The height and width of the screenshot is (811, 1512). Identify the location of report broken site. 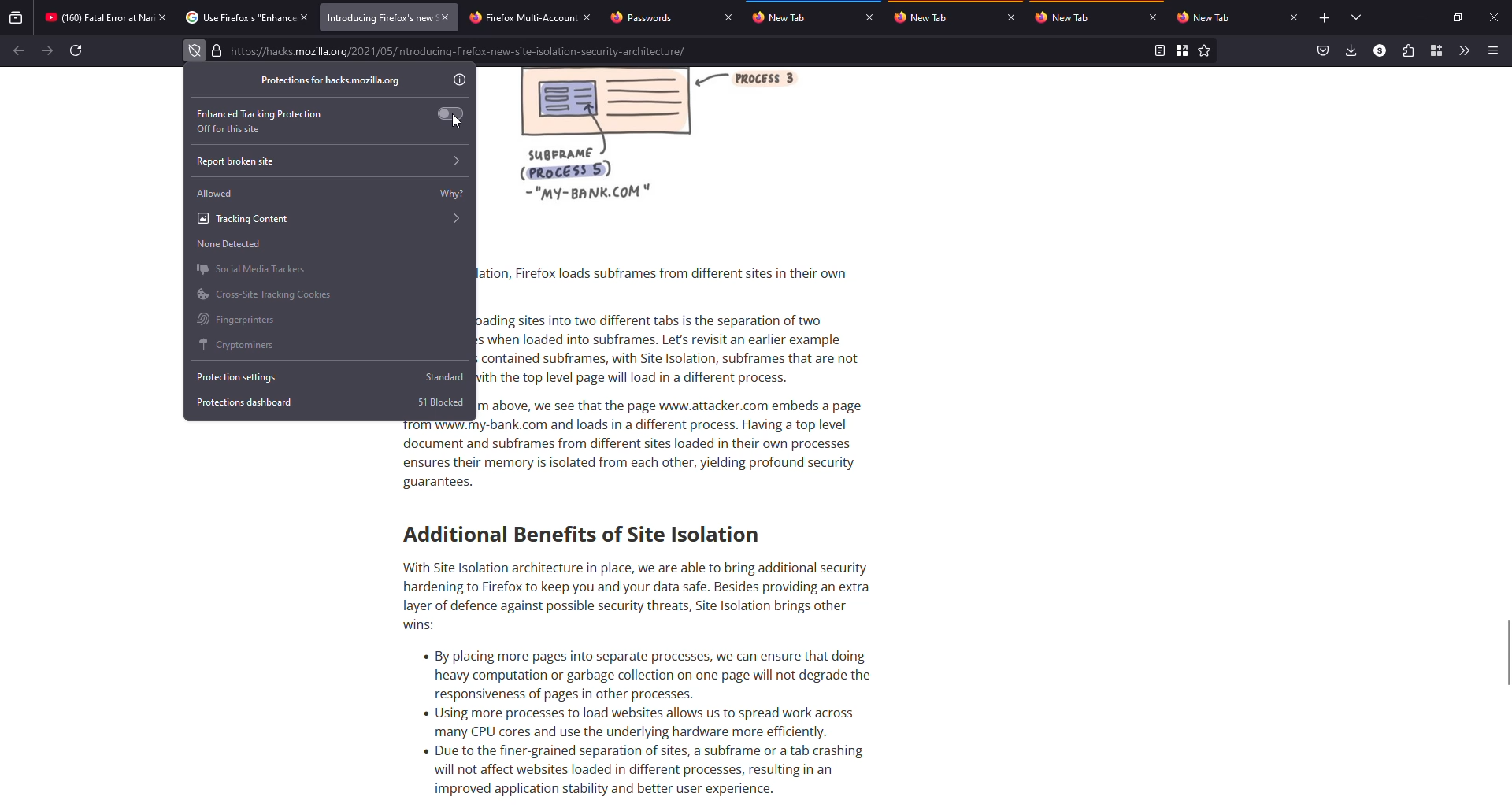
(235, 162).